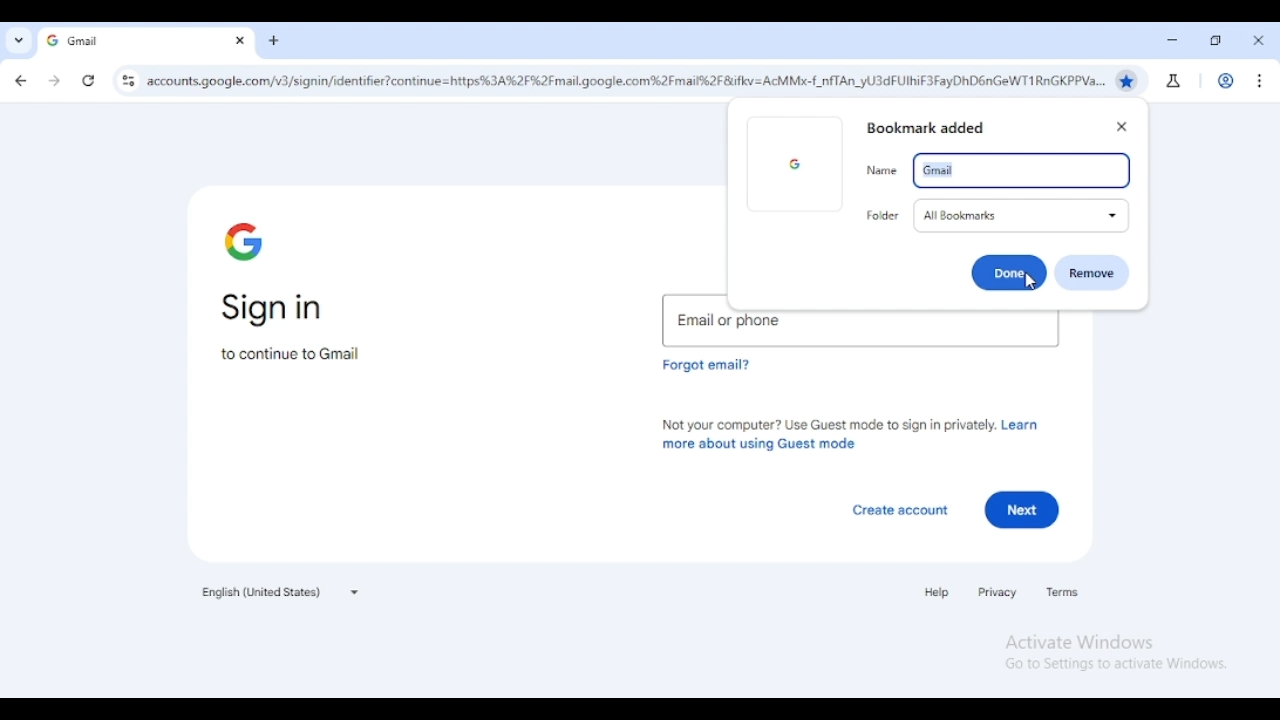  Describe the element at coordinates (998, 593) in the screenshot. I see `privacy` at that location.